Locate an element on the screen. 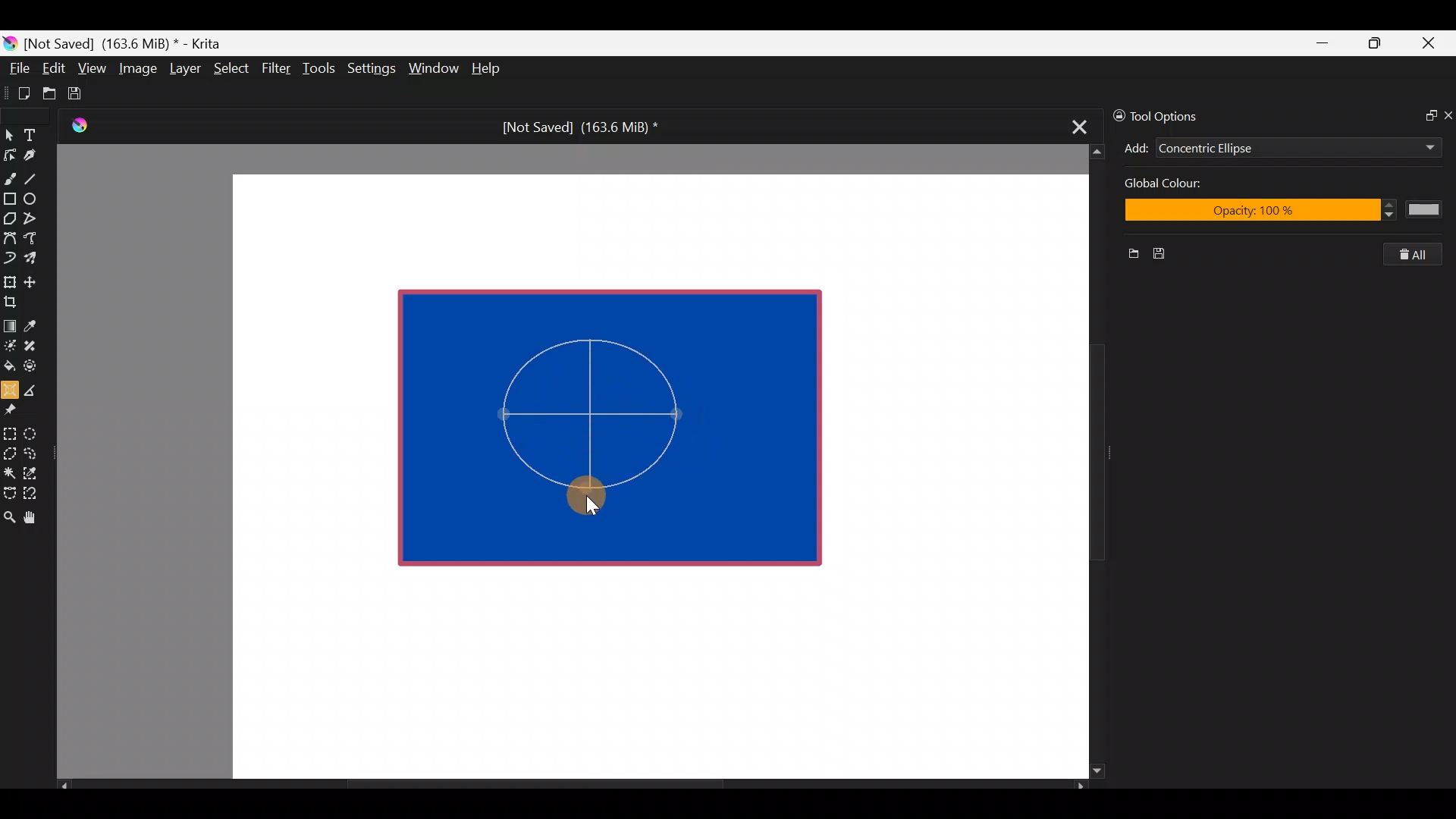  File is located at coordinates (15, 71).